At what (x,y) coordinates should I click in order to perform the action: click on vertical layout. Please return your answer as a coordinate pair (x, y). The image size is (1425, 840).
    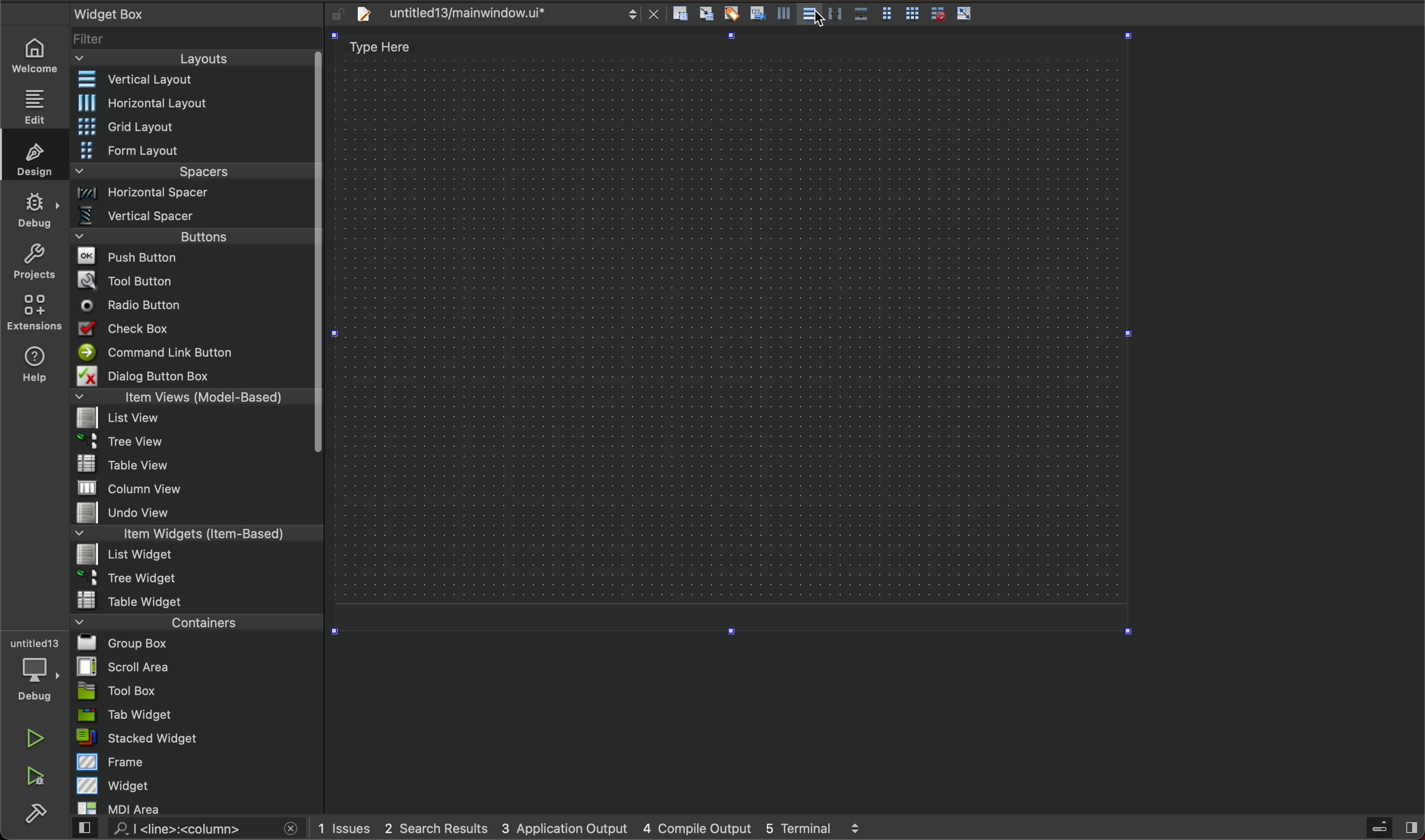
    Looking at the image, I should click on (814, 16).